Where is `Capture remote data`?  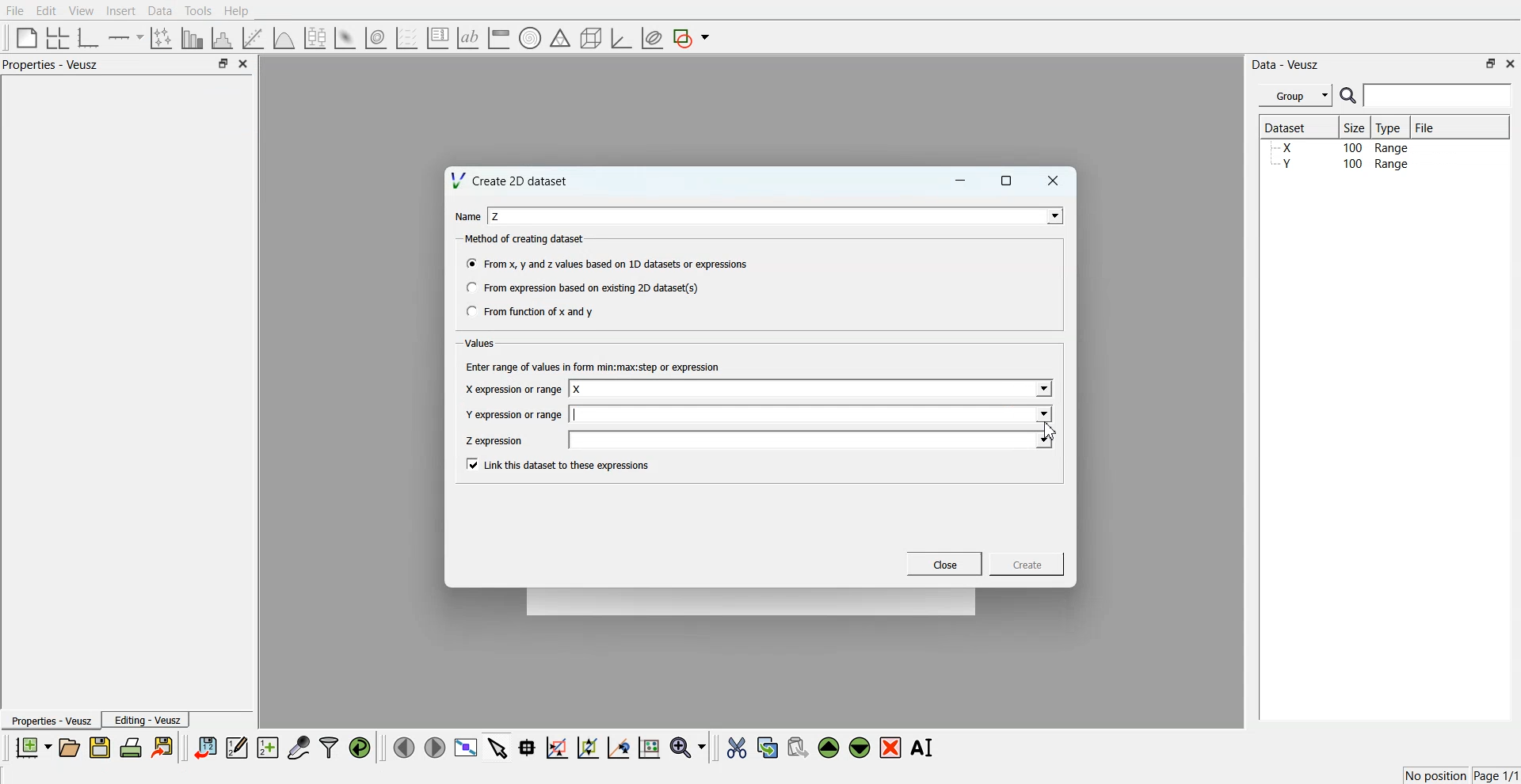 Capture remote data is located at coordinates (299, 747).